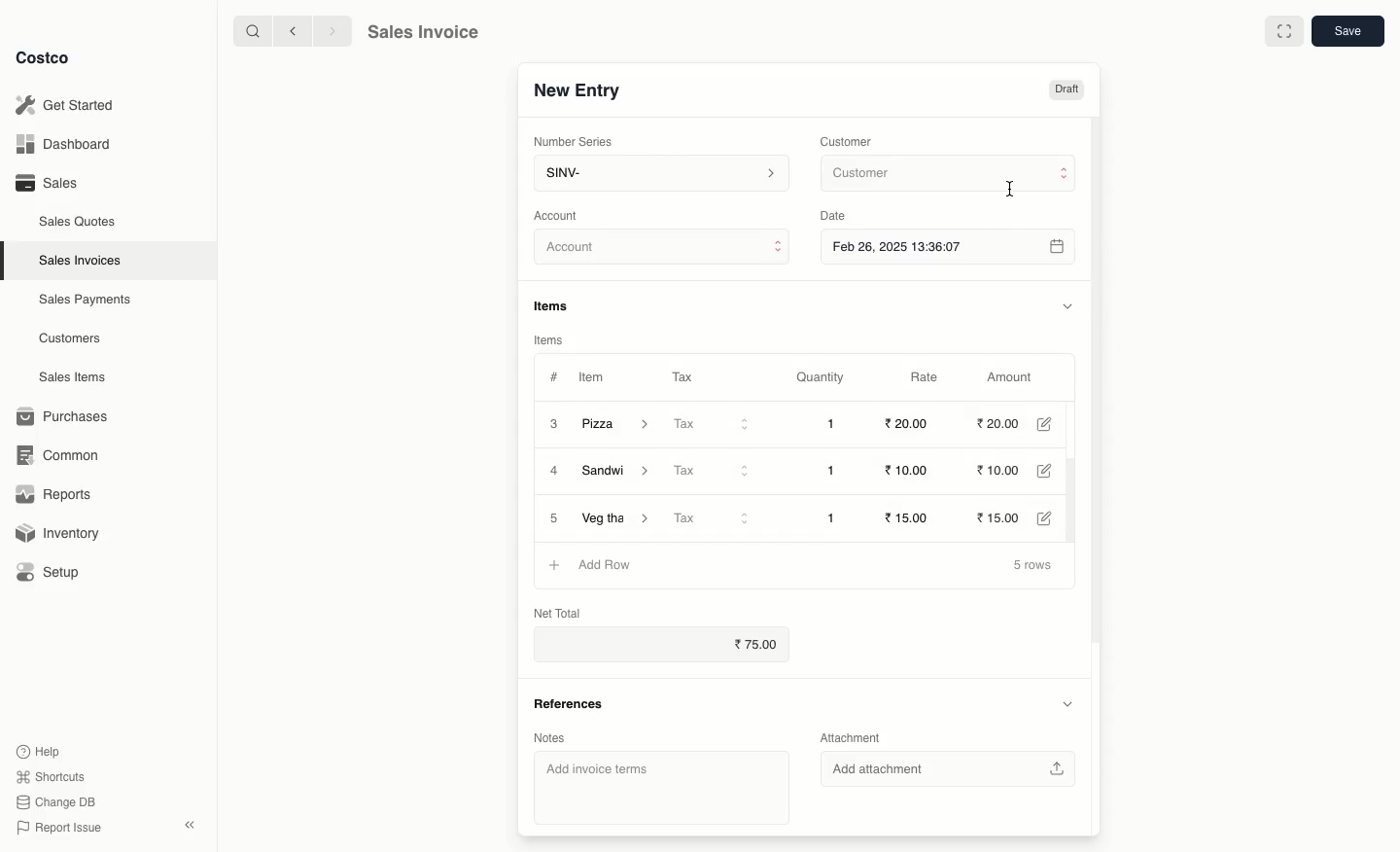 The height and width of the screenshot is (852, 1400). What do you see at coordinates (1350, 33) in the screenshot?
I see `Save` at bounding box center [1350, 33].